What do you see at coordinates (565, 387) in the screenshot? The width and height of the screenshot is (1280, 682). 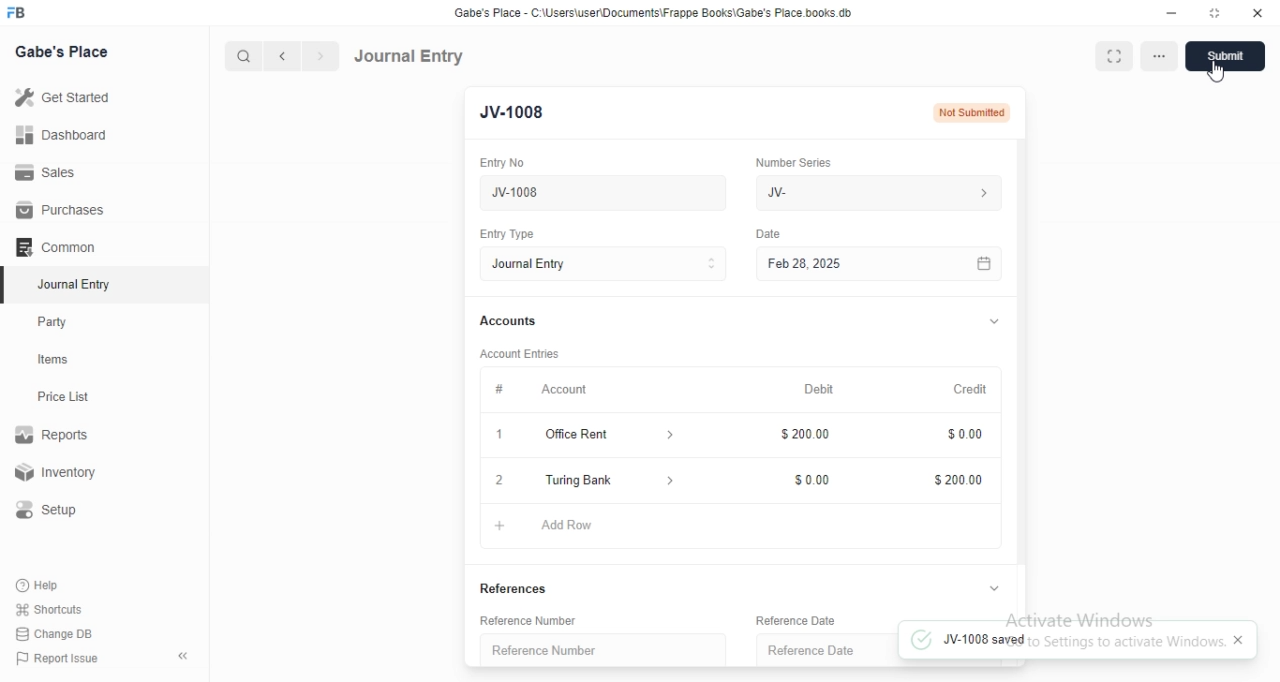 I see `Account` at bounding box center [565, 387].